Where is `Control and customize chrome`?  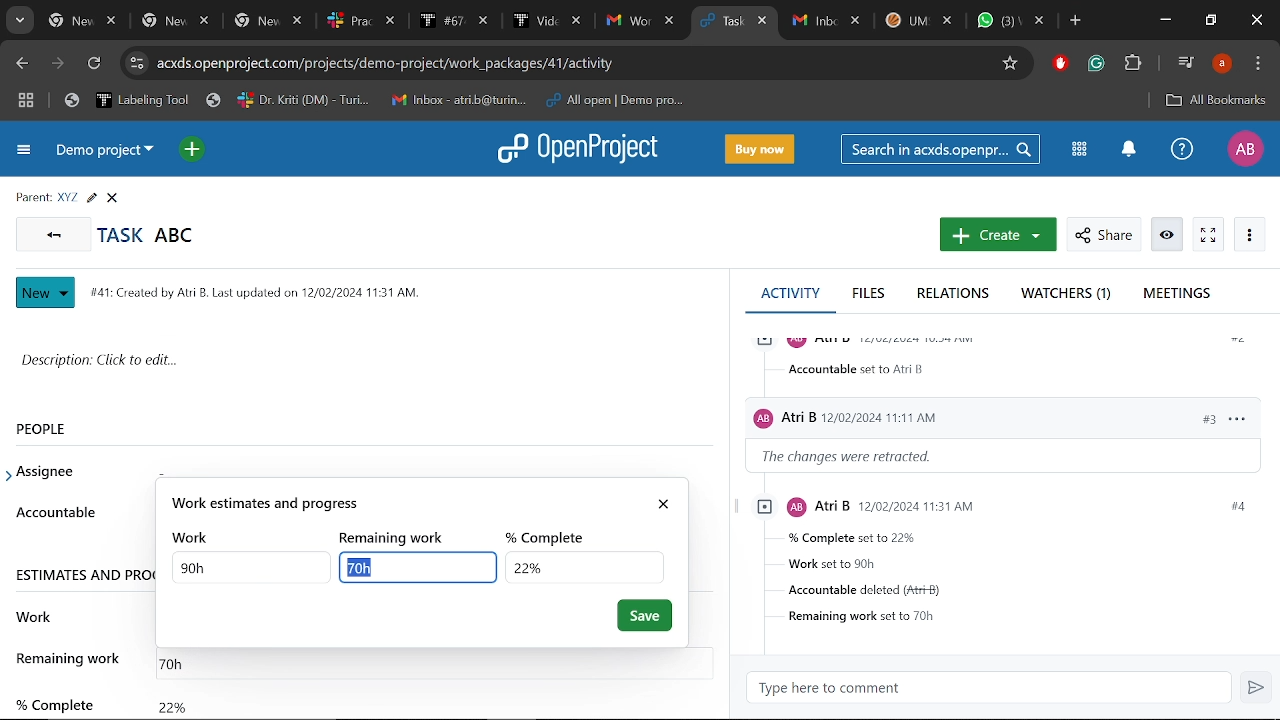
Control and customize chrome is located at coordinates (1258, 64).